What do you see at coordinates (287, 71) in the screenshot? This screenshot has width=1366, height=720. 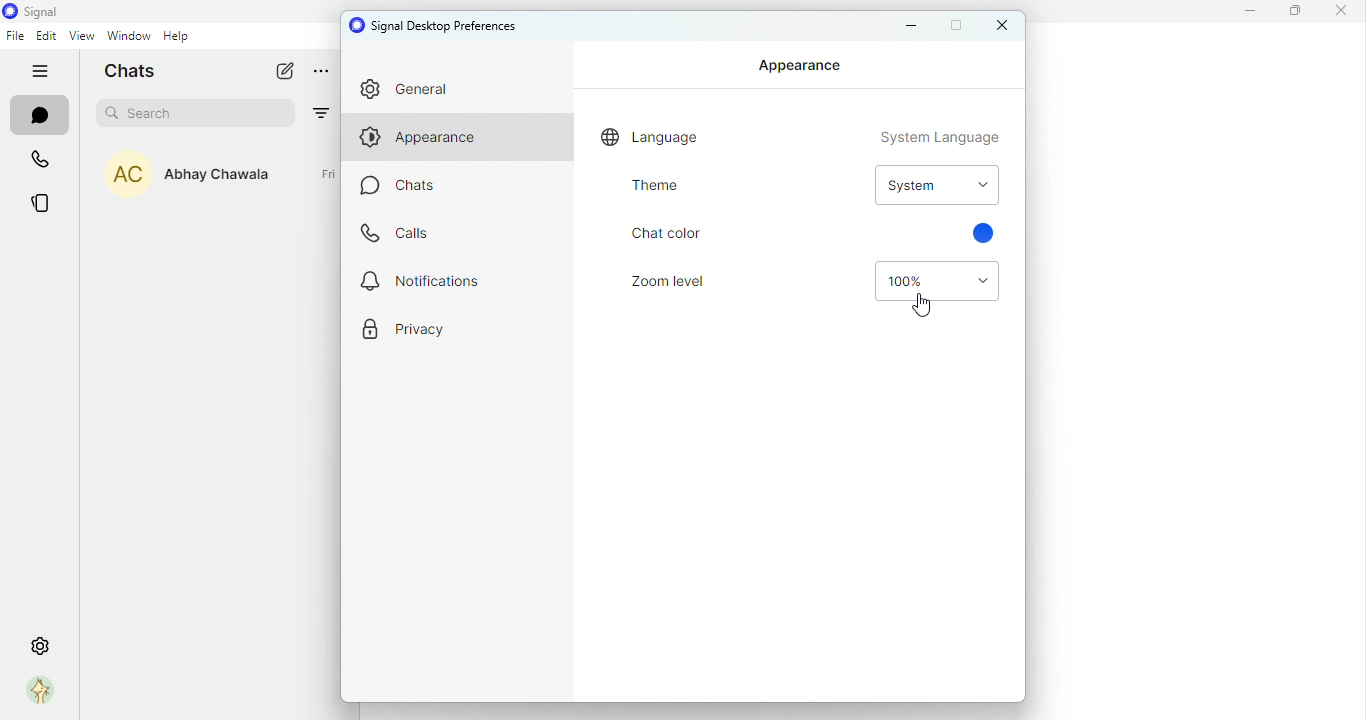 I see `new chat` at bounding box center [287, 71].